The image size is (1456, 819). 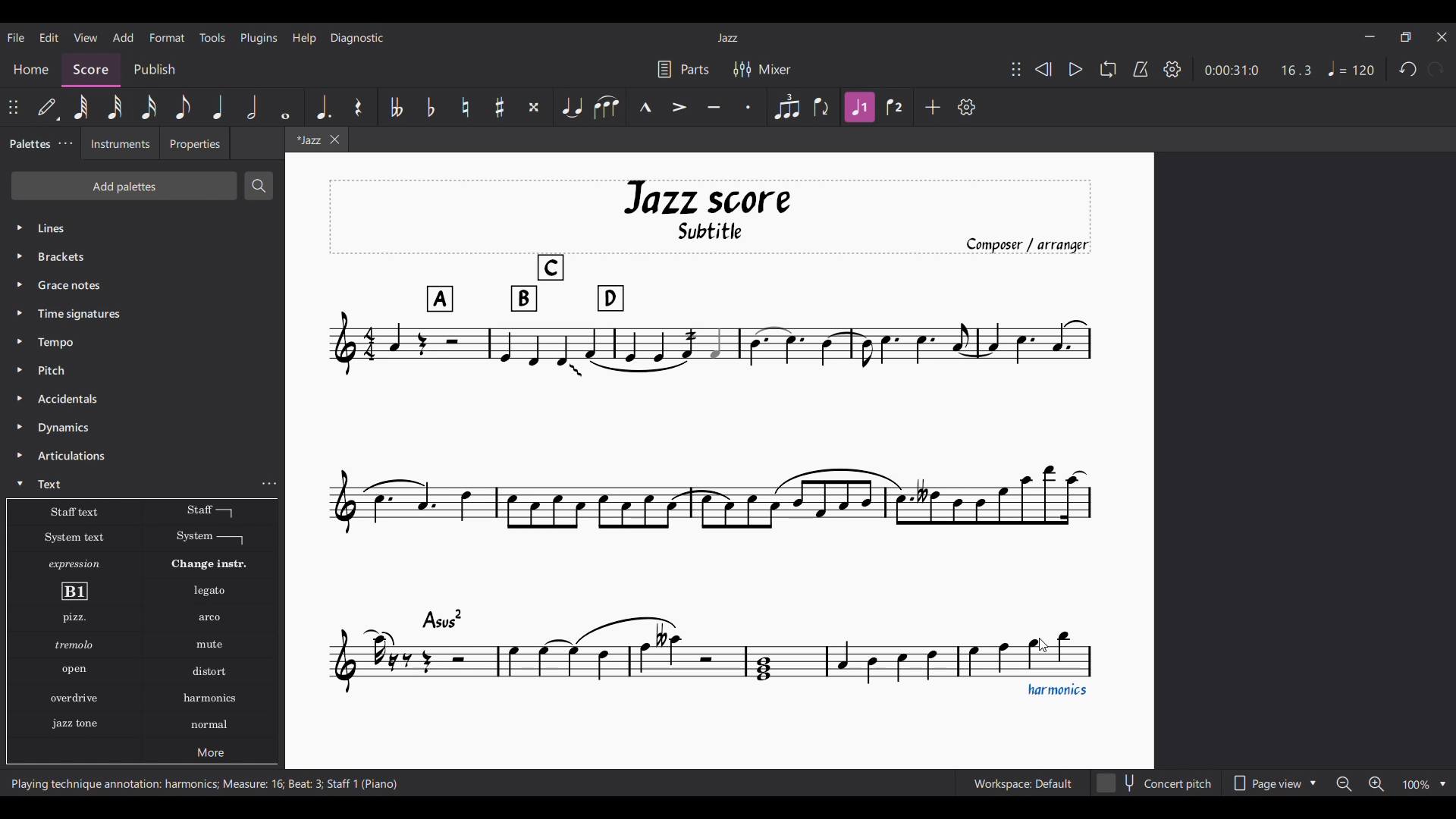 I want to click on 16th note, so click(x=149, y=107).